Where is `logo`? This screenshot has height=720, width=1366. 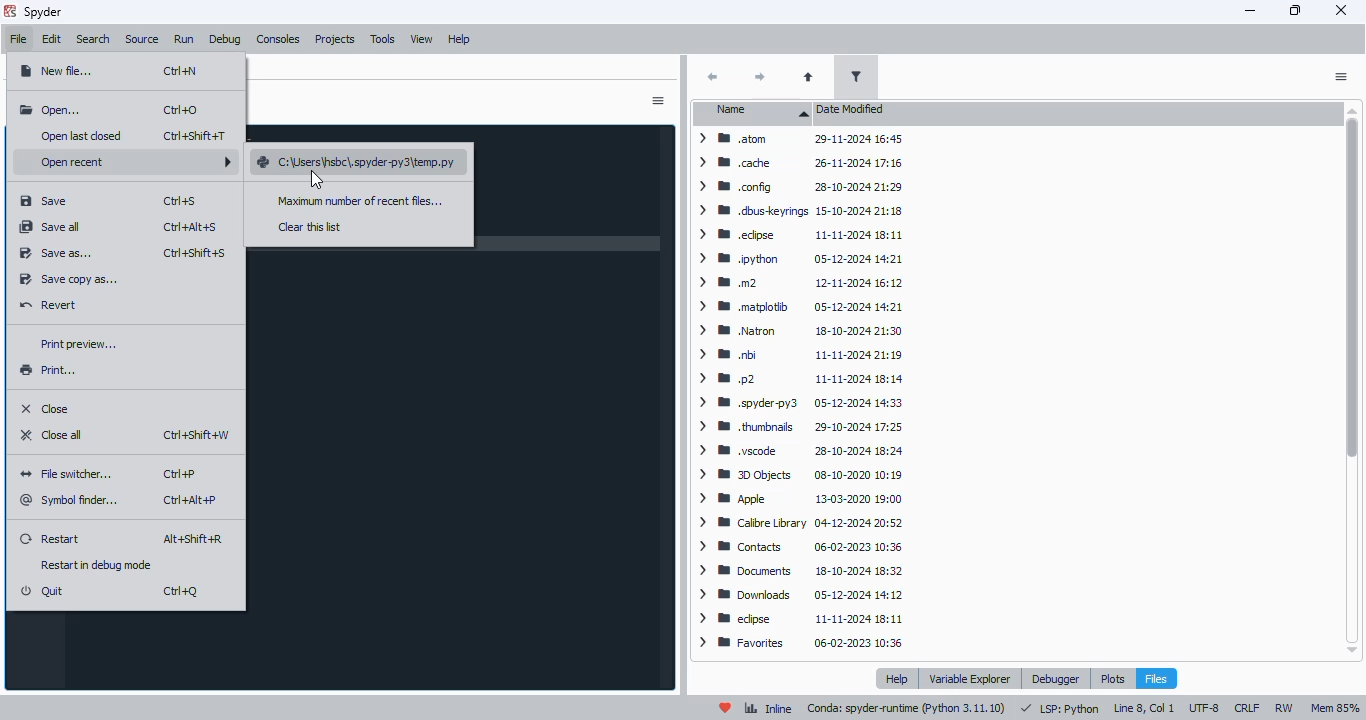
logo is located at coordinates (9, 11).